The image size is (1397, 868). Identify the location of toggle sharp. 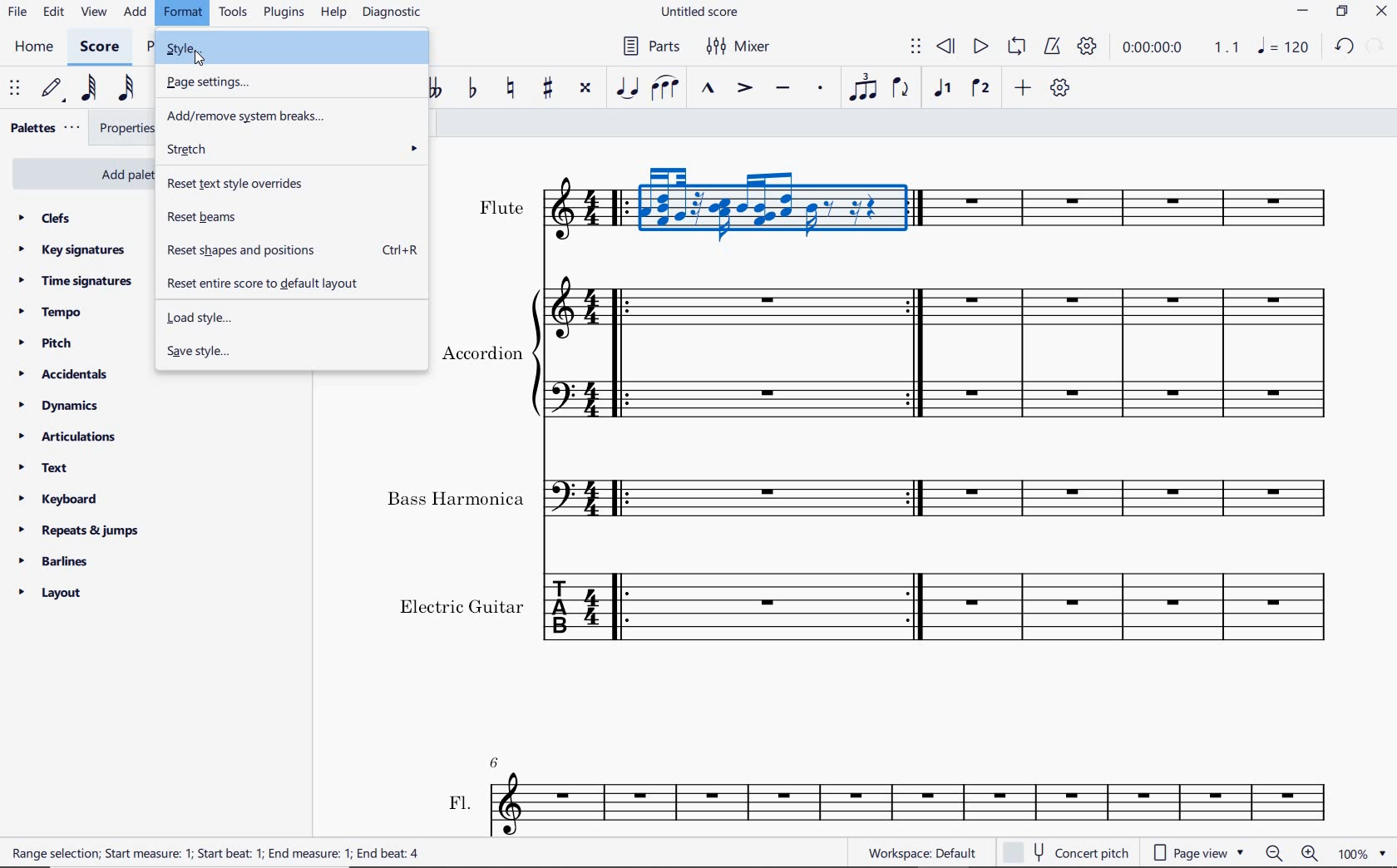
(549, 91).